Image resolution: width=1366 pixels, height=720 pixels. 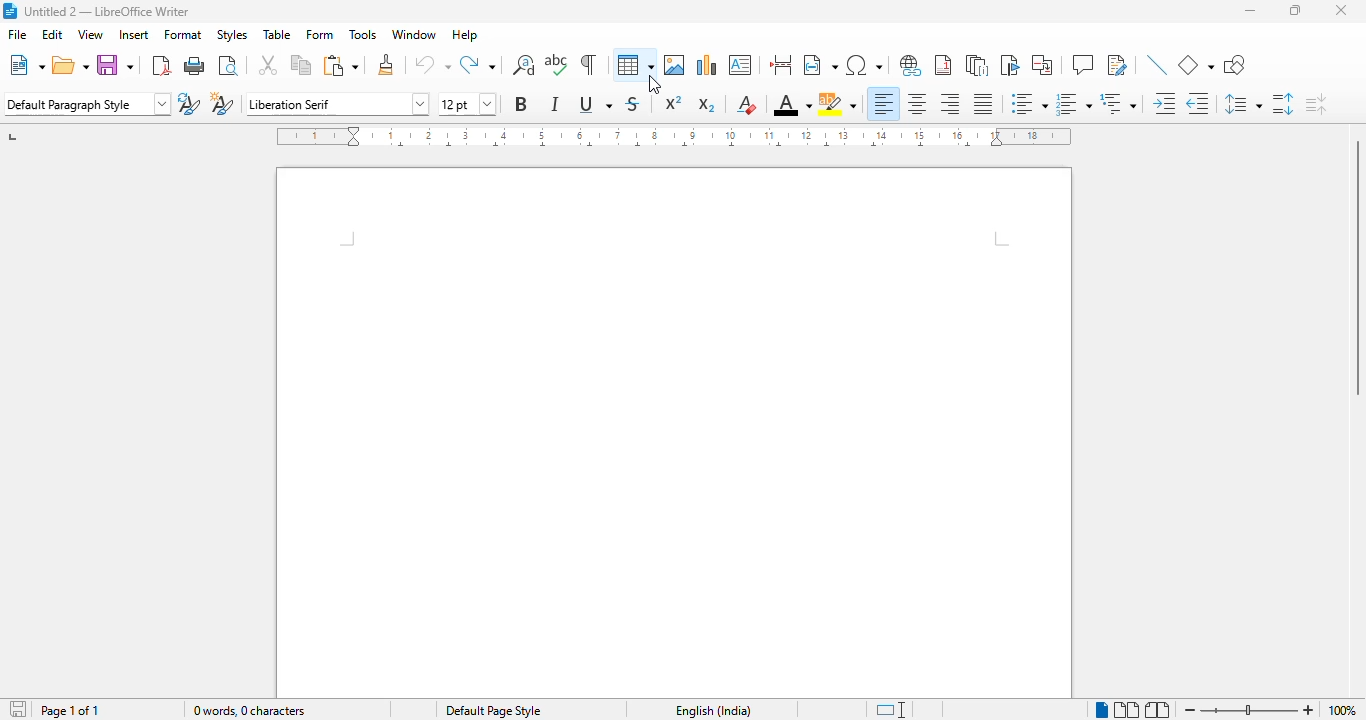 I want to click on increase paragraph spacing, so click(x=1284, y=104).